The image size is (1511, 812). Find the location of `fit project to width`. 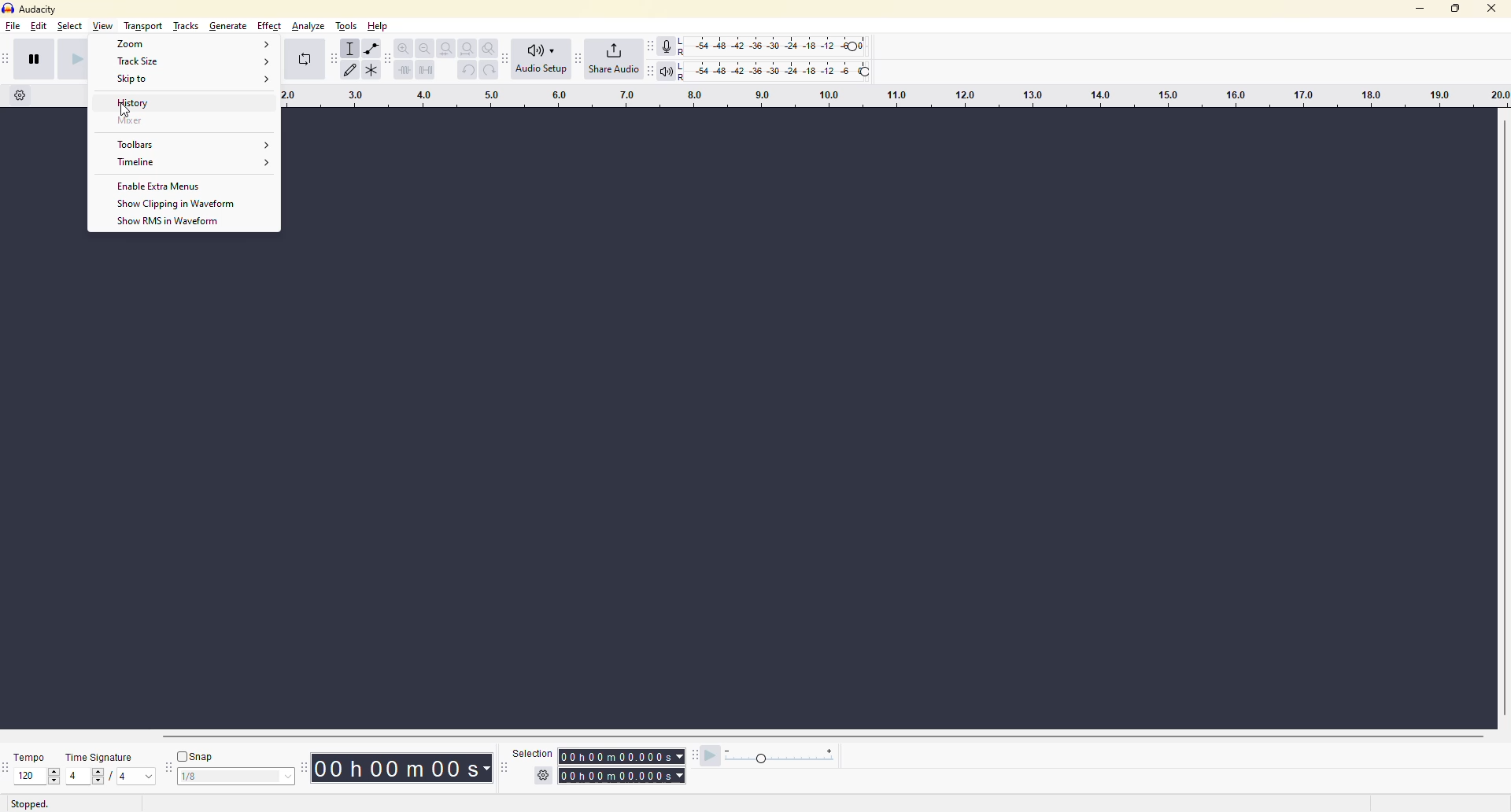

fit project to width is located at coordinates (469, 47).